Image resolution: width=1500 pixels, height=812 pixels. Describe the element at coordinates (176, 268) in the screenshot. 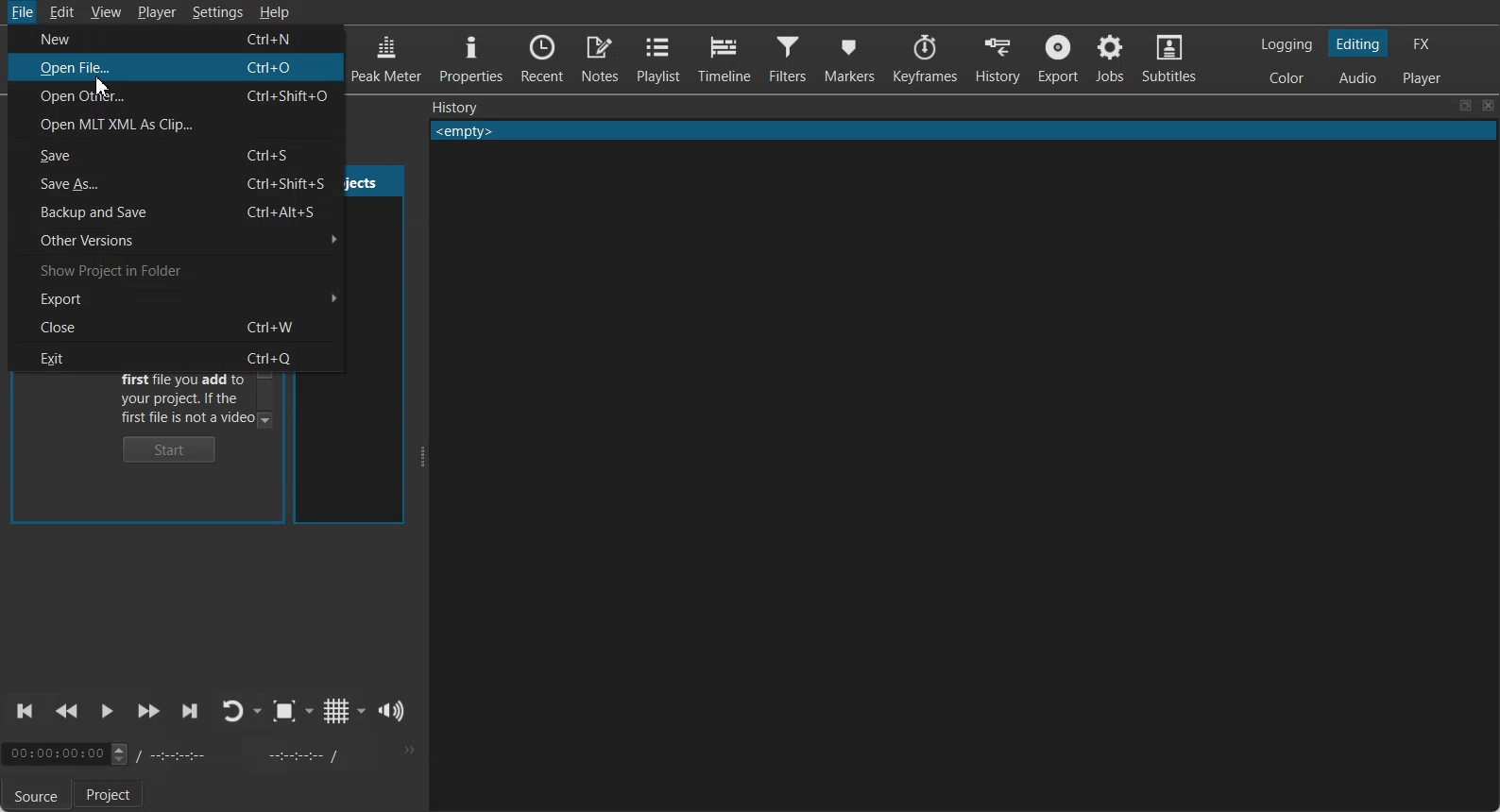

I see `Show Project in Folder` at that location.